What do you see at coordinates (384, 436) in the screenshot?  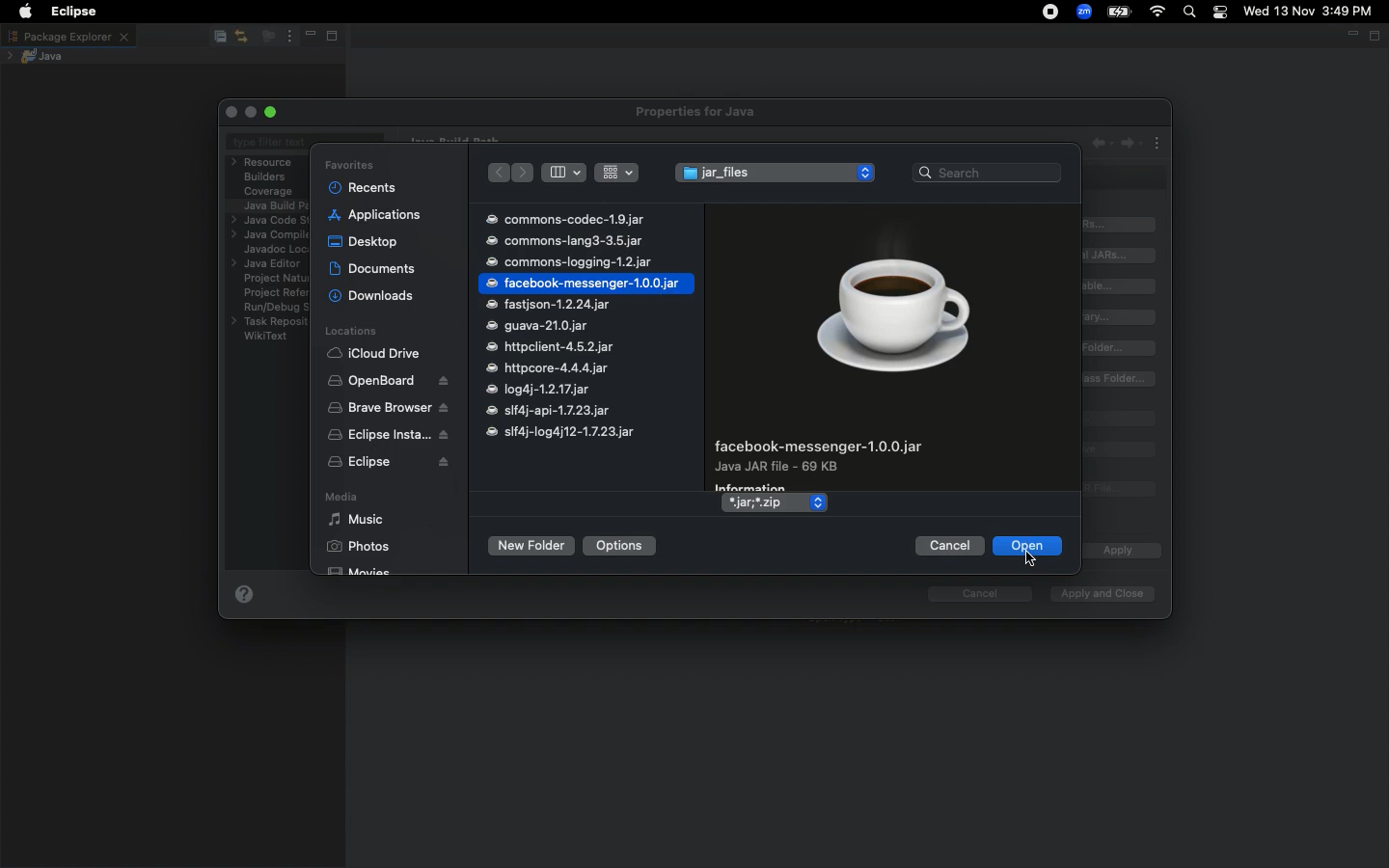 I see `Eclipse installer` at bounding box center [384, 436].